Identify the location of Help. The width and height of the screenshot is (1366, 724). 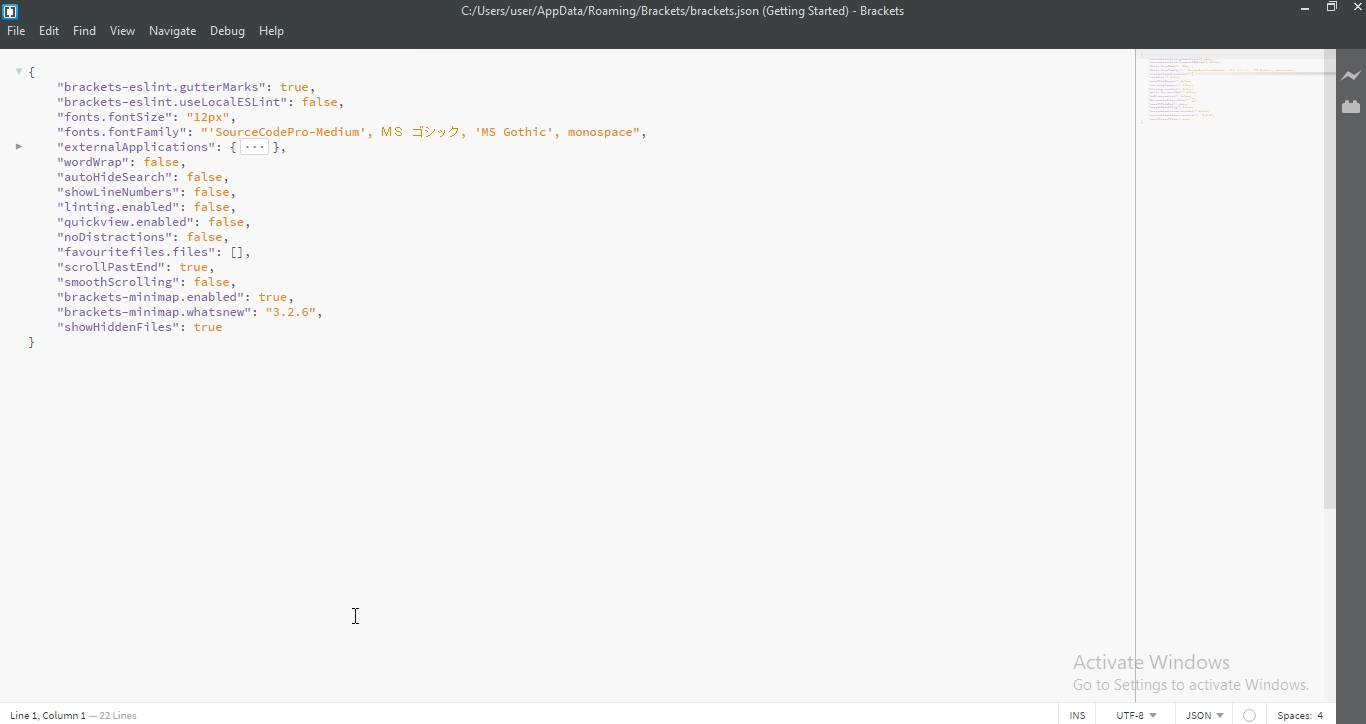
(274, 32).